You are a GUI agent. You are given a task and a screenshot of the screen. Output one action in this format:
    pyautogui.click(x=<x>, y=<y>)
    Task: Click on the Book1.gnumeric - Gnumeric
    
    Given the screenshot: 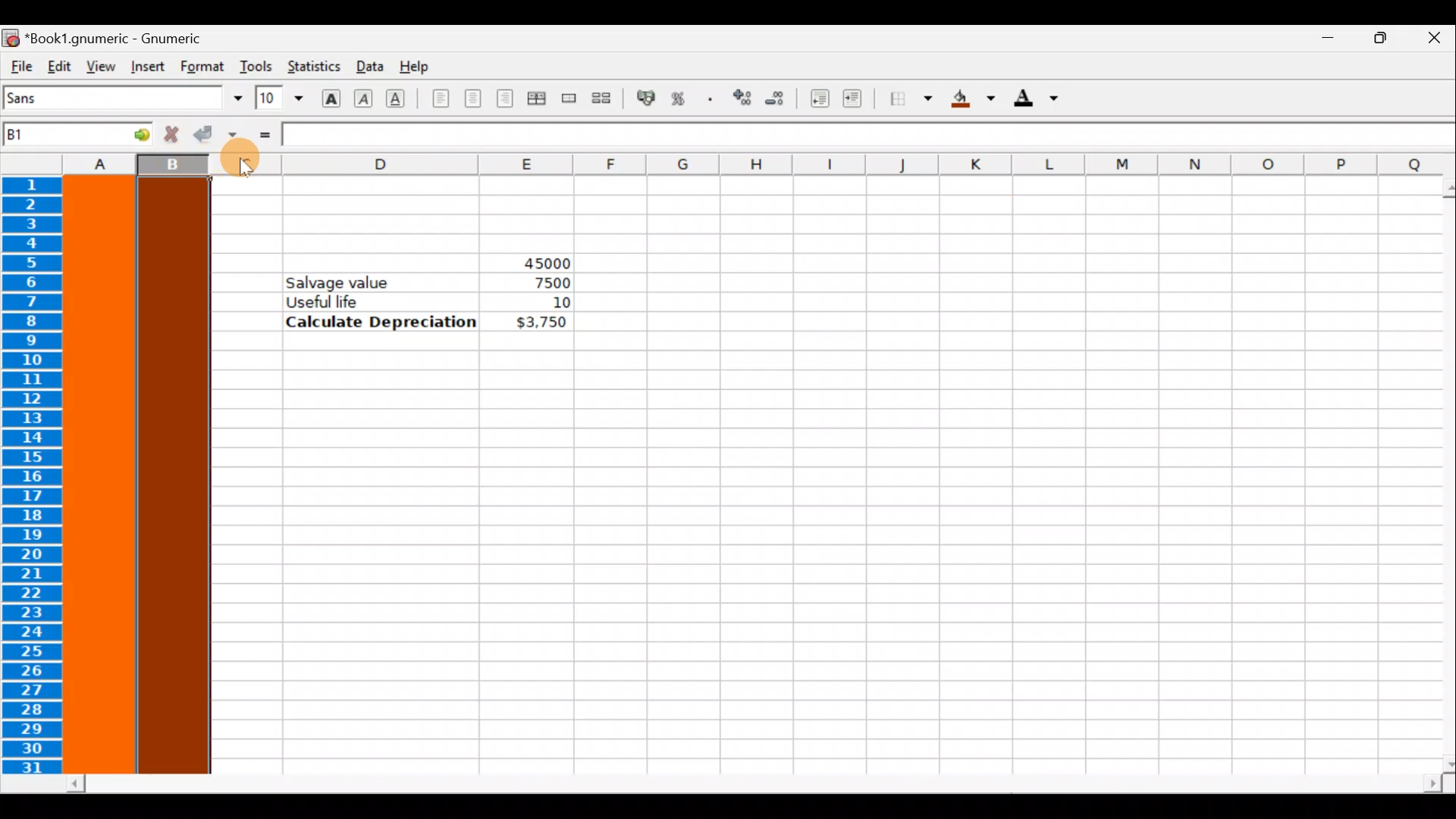 What is the action you would take?
    pyautogui.click(x=122, y=37)
    